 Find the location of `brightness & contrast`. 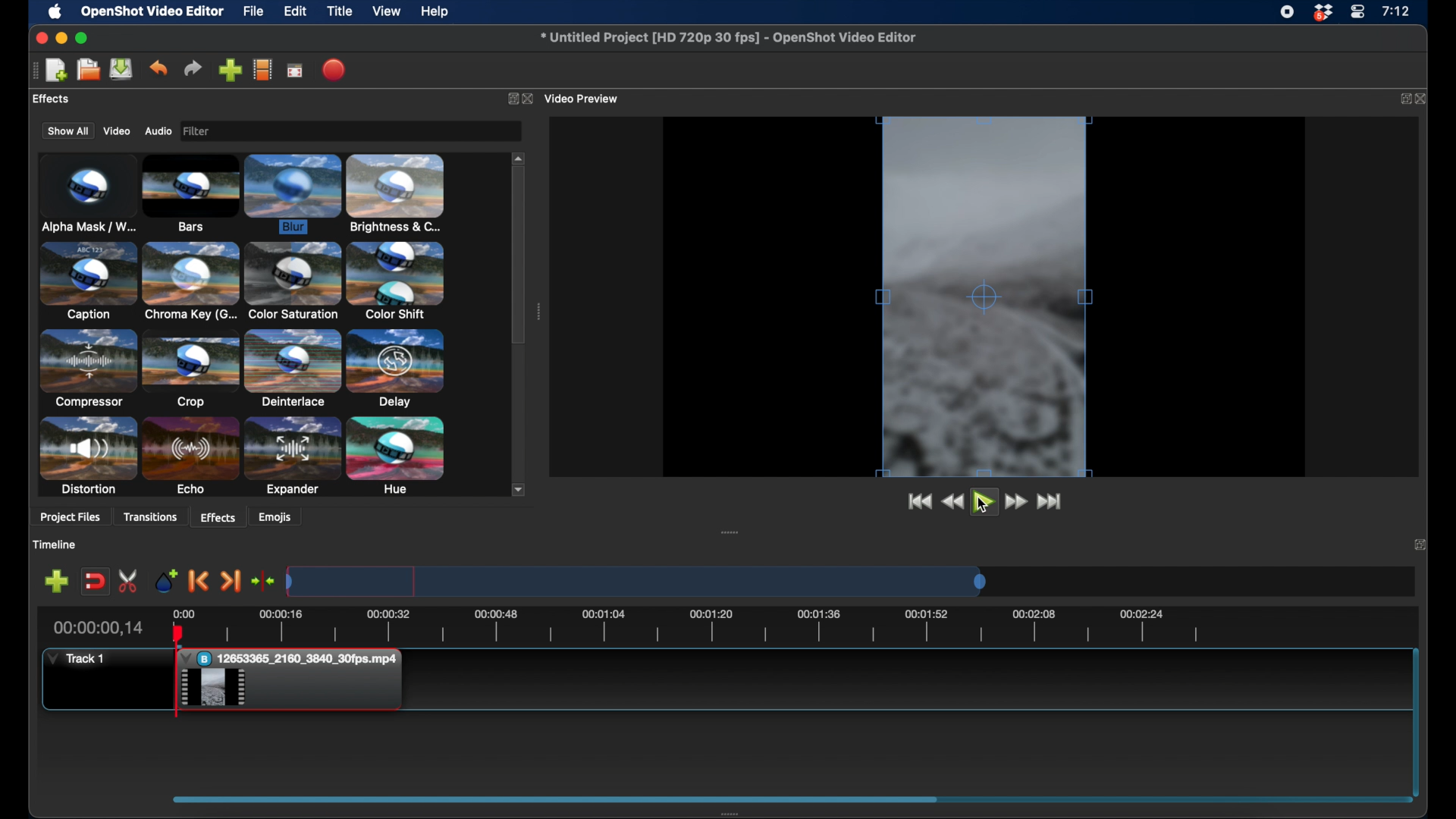

brightness & contrast is located at coordinates (396, 193).